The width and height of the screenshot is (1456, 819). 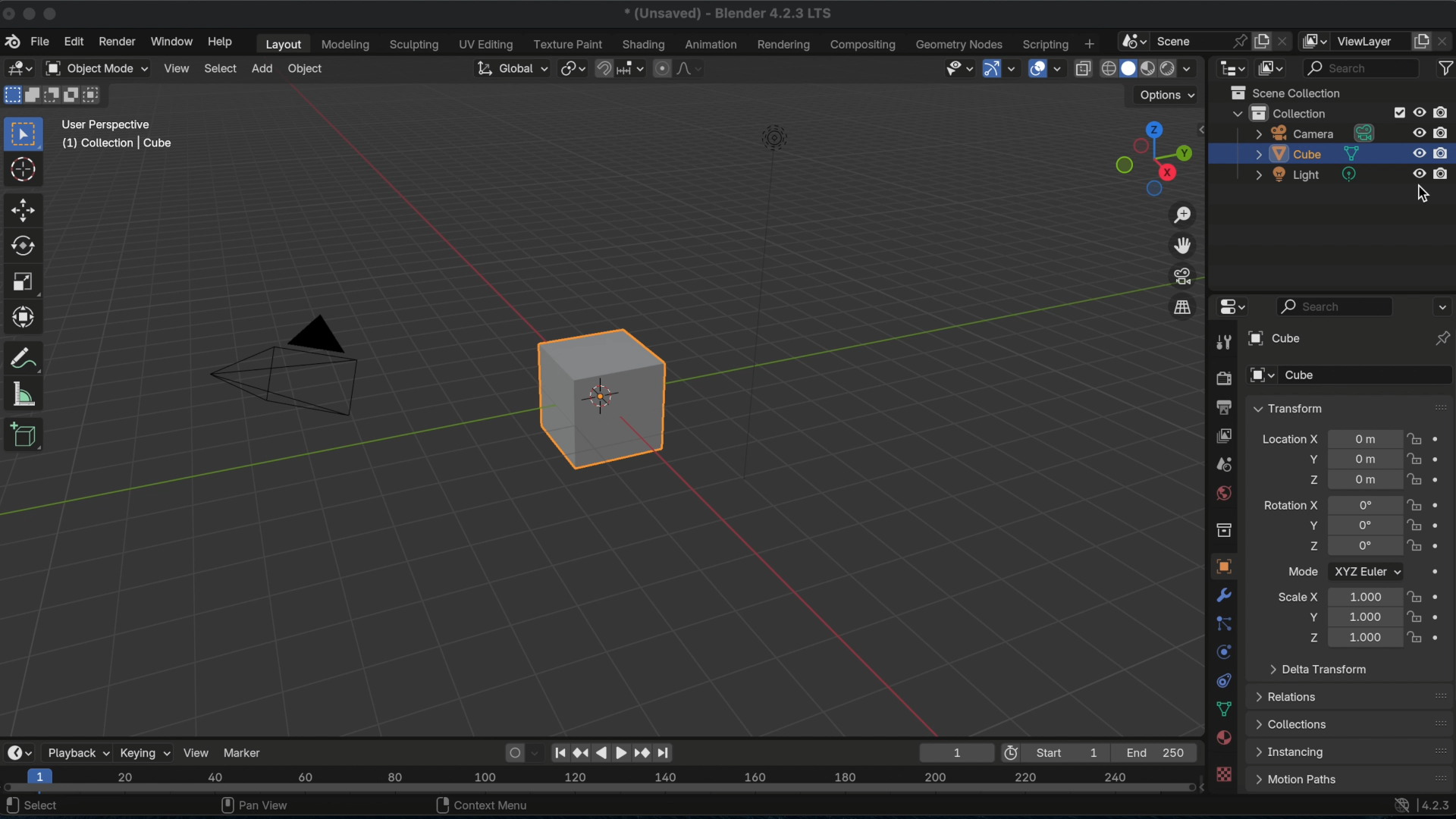 What do you see at coordinates (1439, 777) in the screenshot?
I see `drag handle` at bounding box center [1439, 777].